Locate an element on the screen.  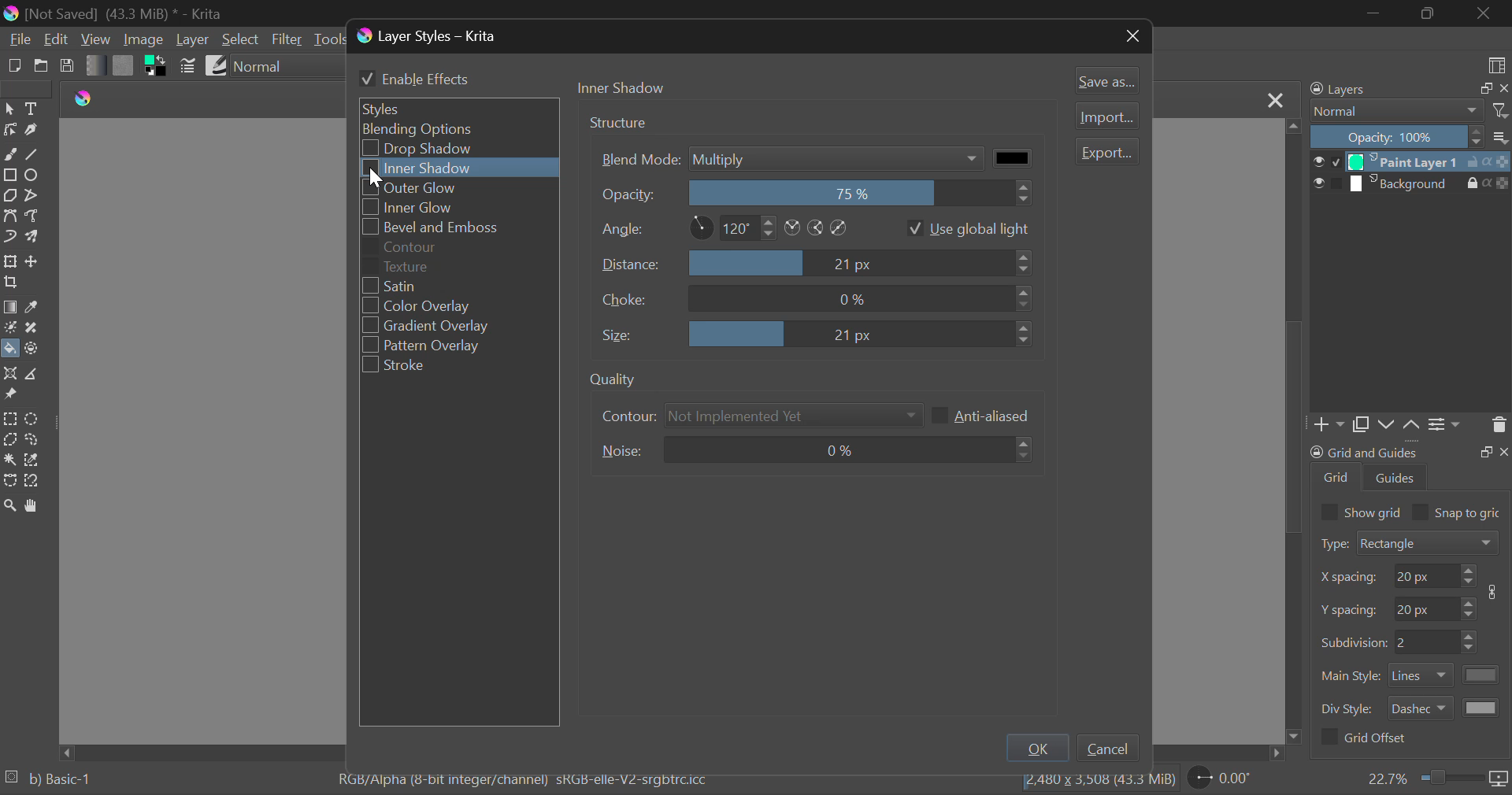
Use global light is located at coordinates (968, 227).